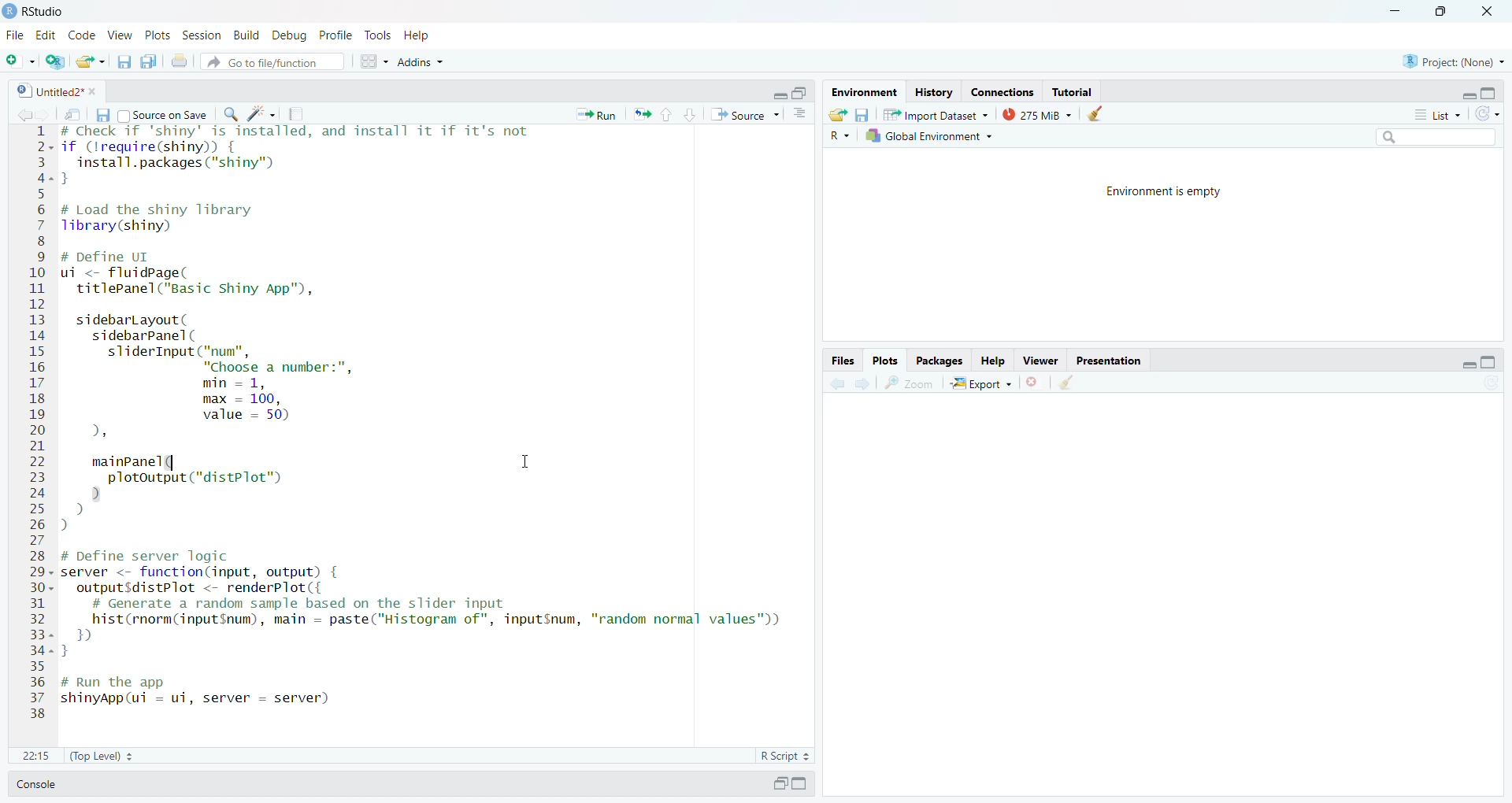  Describe the element at coordinates (1437, 136) in the screenshot. I see `search` at that location.